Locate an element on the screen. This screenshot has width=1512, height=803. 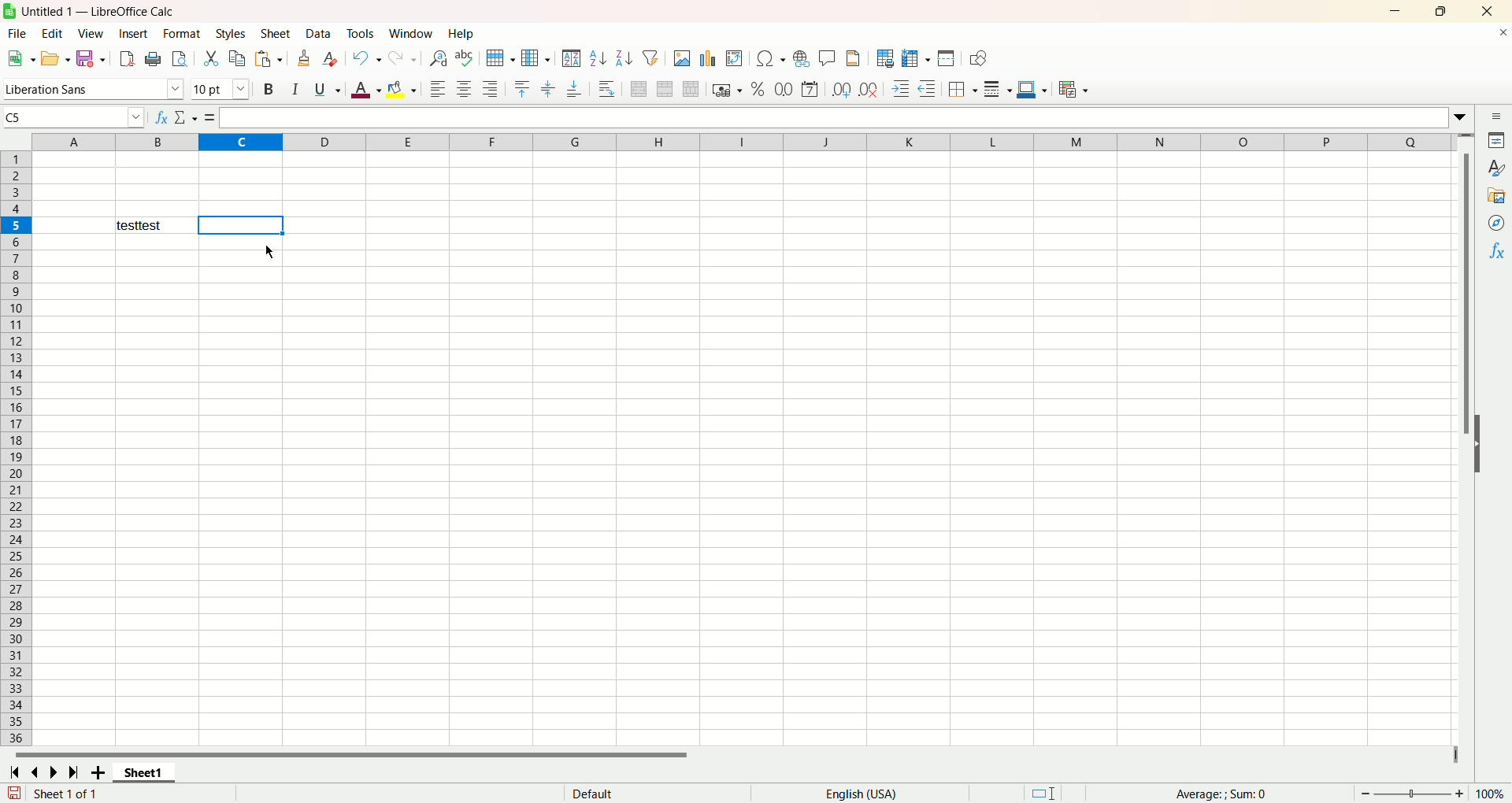
scroll to first sheet is located at coordinates (16, 773).